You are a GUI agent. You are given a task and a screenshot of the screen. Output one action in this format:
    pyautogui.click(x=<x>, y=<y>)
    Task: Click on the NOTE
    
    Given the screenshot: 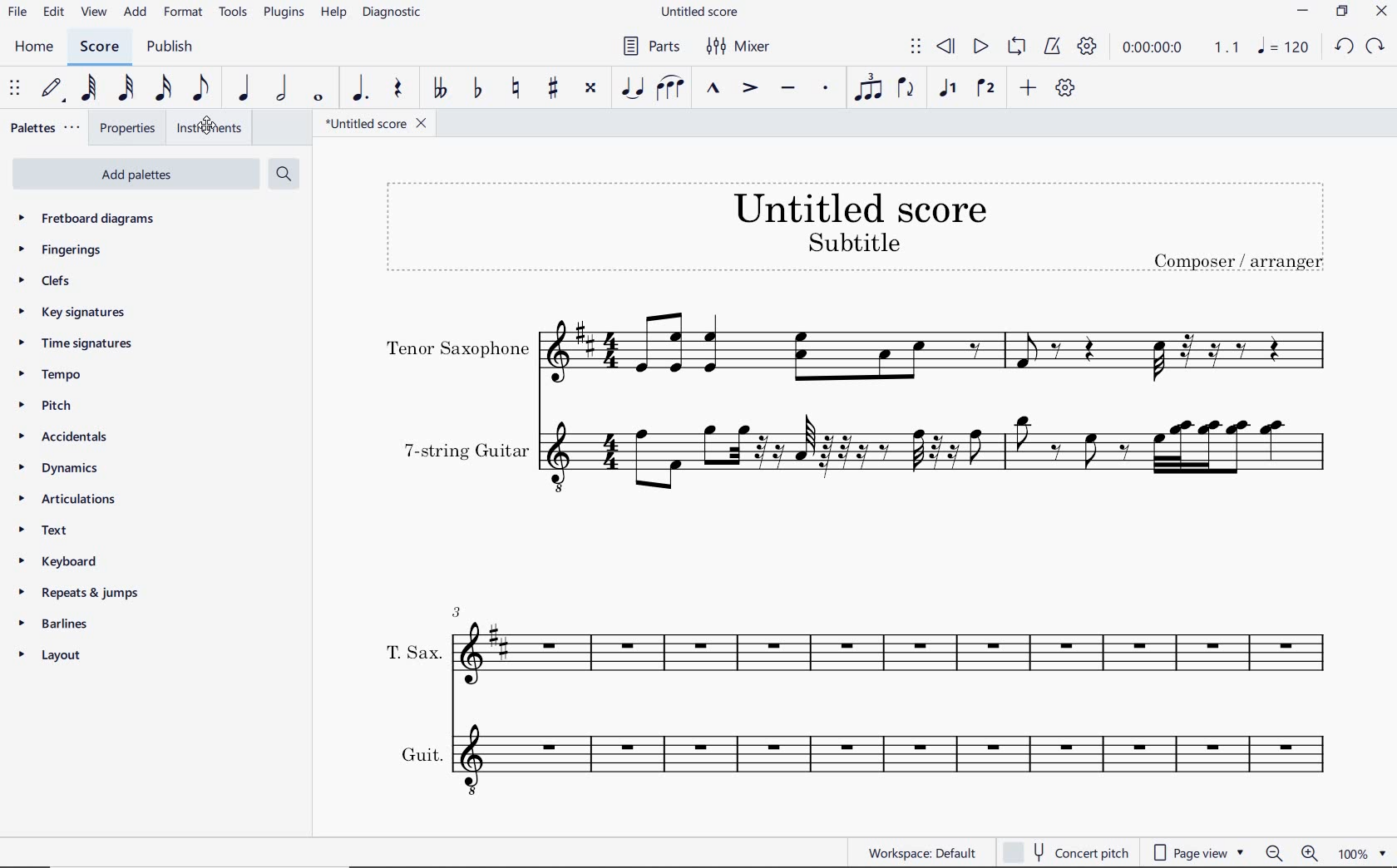 What is the action you would take?
    pyautogui.click(x=1283, y=46)
    